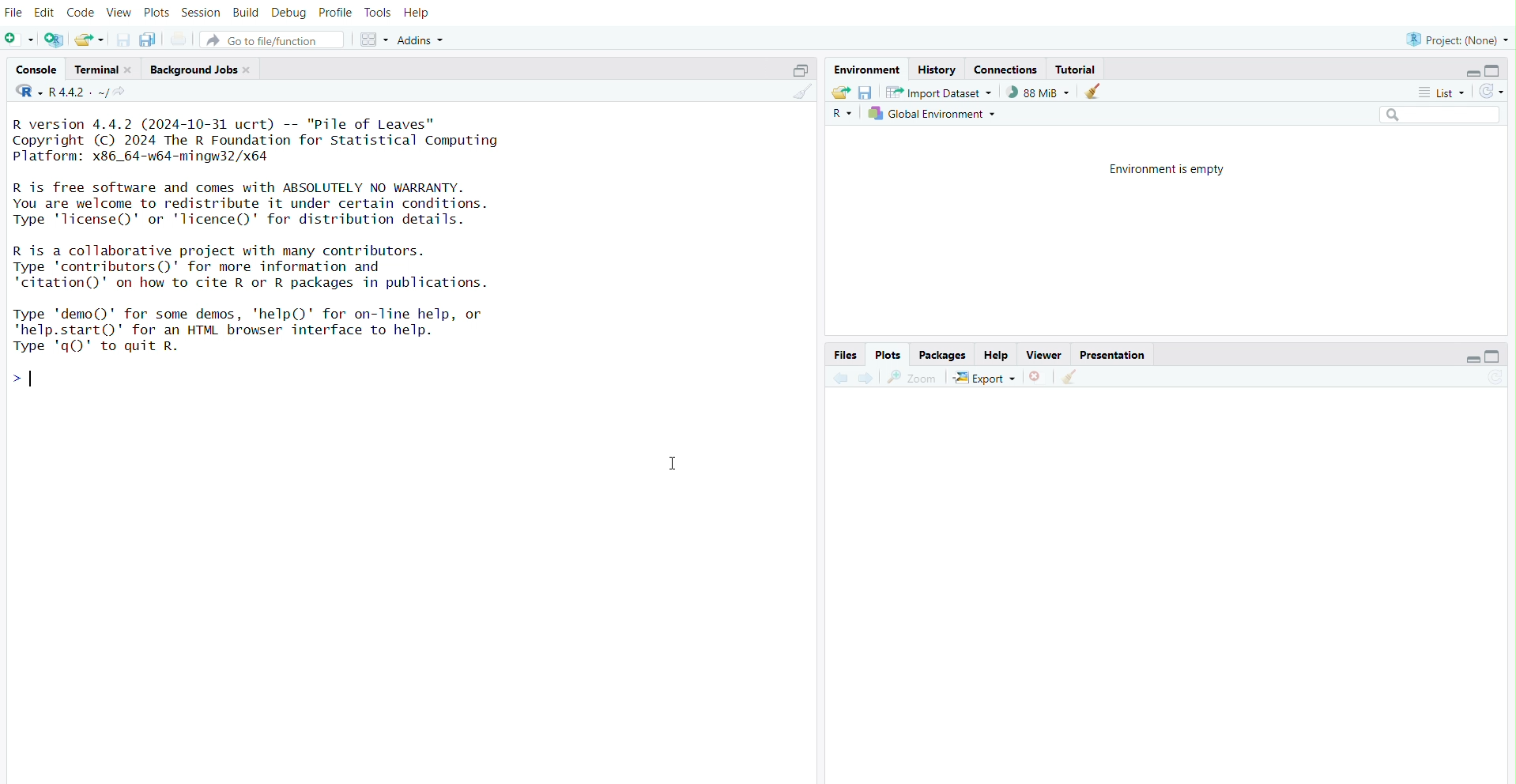 The height and width of the screenshot is (784, 1516). Describe the element at coordinates (194, 70) in the screenshot. I see `background jobs` at that location.